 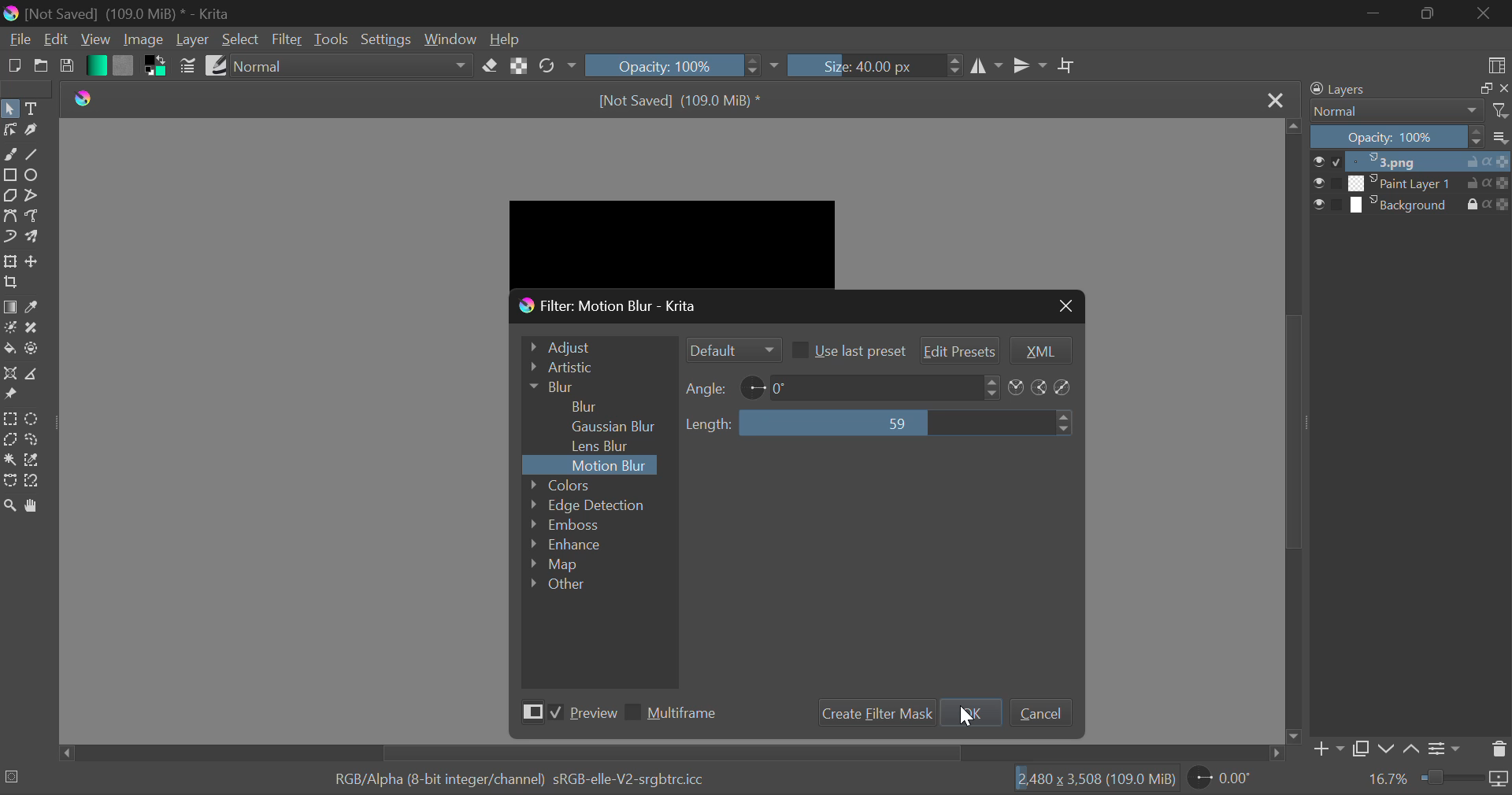 I want to click on Edit Presets, so click(x=961, y=349).